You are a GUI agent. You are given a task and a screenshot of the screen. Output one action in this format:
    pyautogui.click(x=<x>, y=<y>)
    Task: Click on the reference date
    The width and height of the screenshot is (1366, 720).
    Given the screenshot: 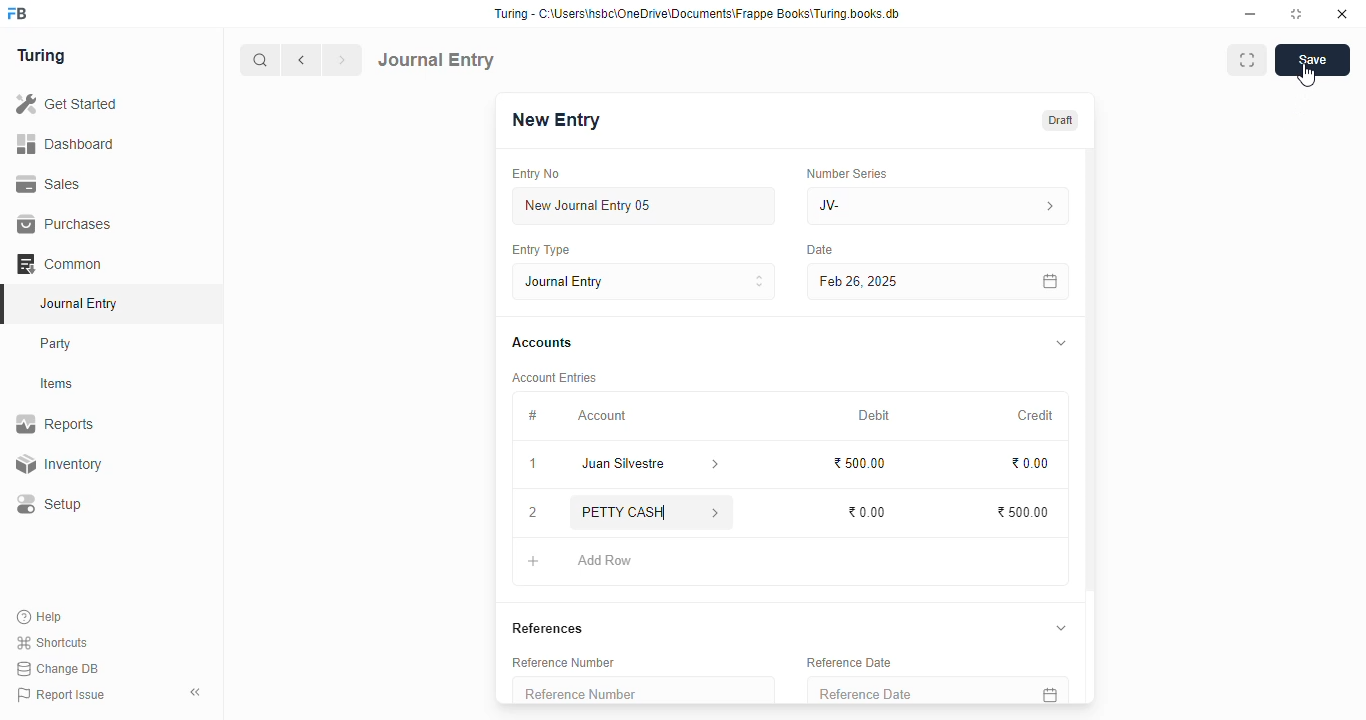 What is the action you would take?
    pyautogui.click(x=909, y=691)
    